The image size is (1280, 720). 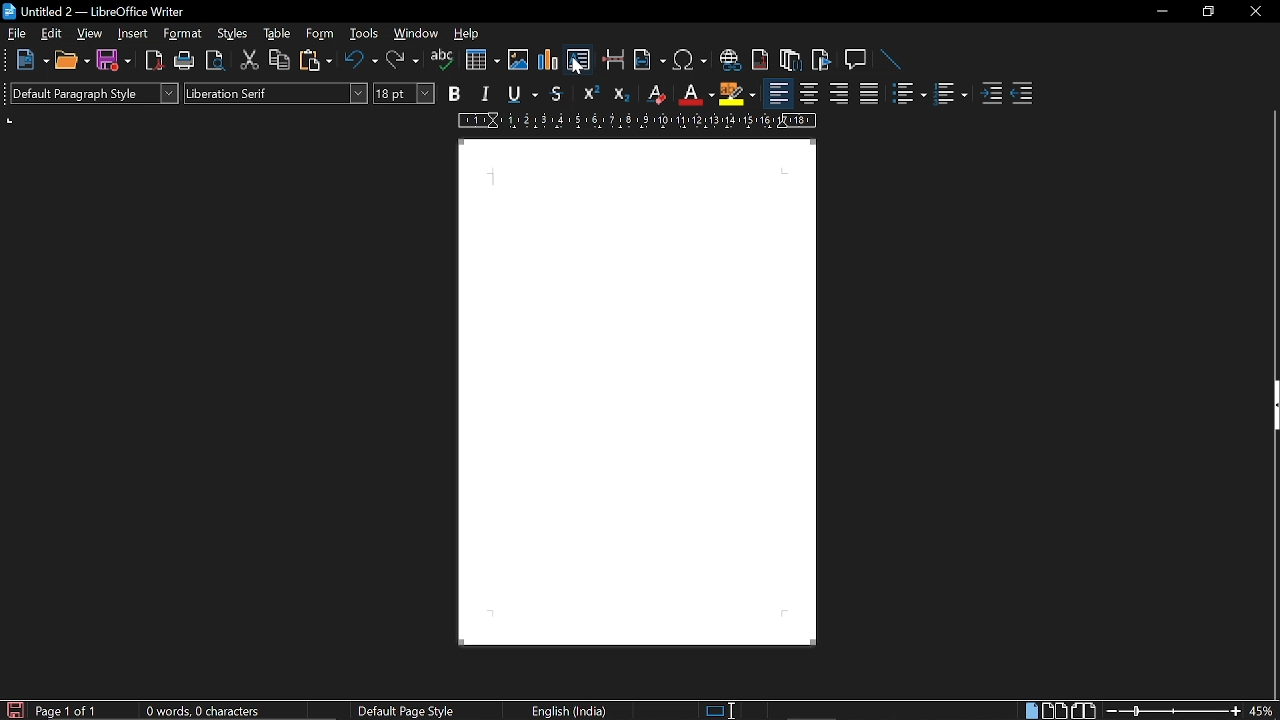 What do you see at coordinates (362, 35) in the screenshot?
I see `tools` at bounding box center [362, 35].